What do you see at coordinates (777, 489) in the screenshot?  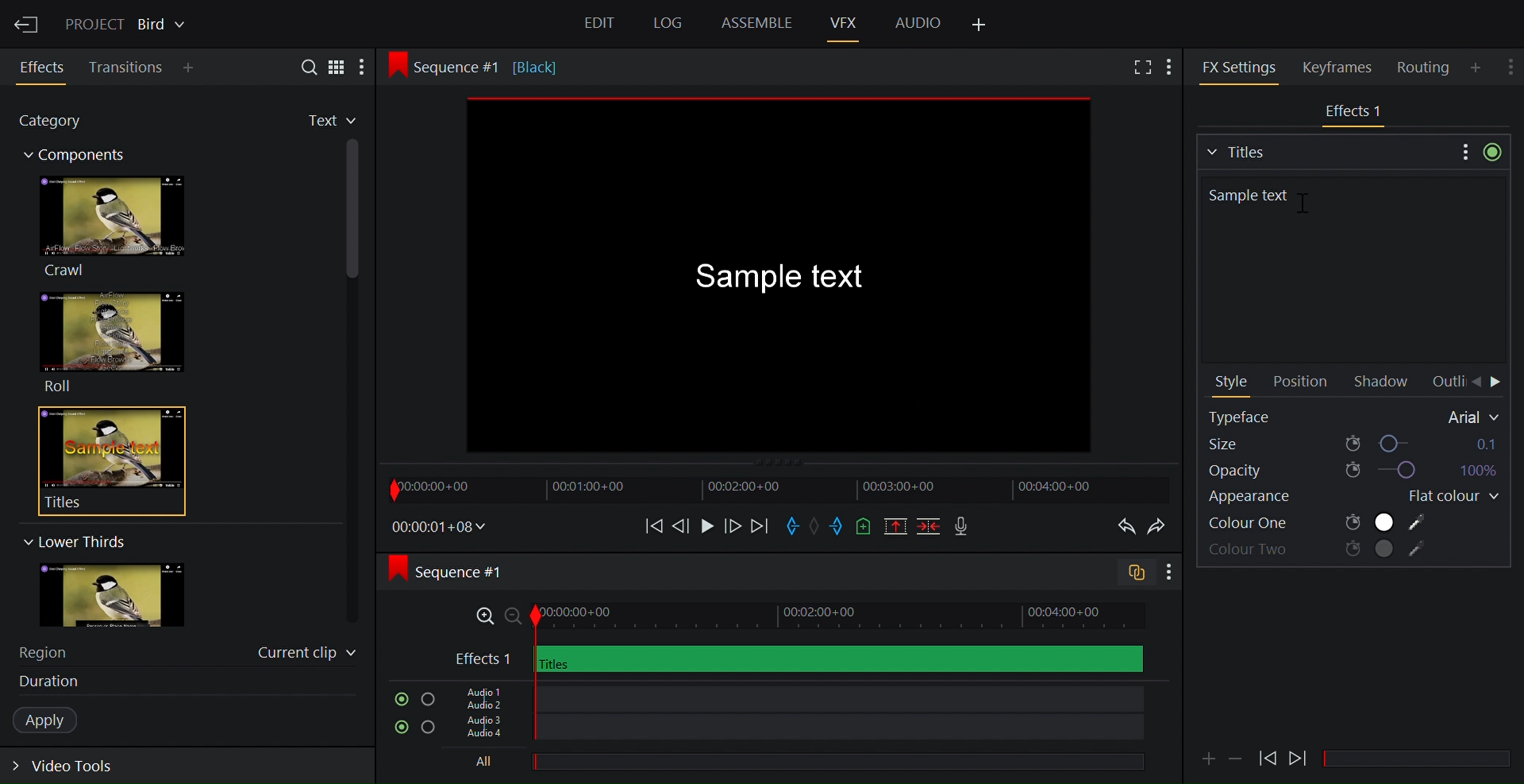 I see `Timeline` at bounding box center [777, 489].